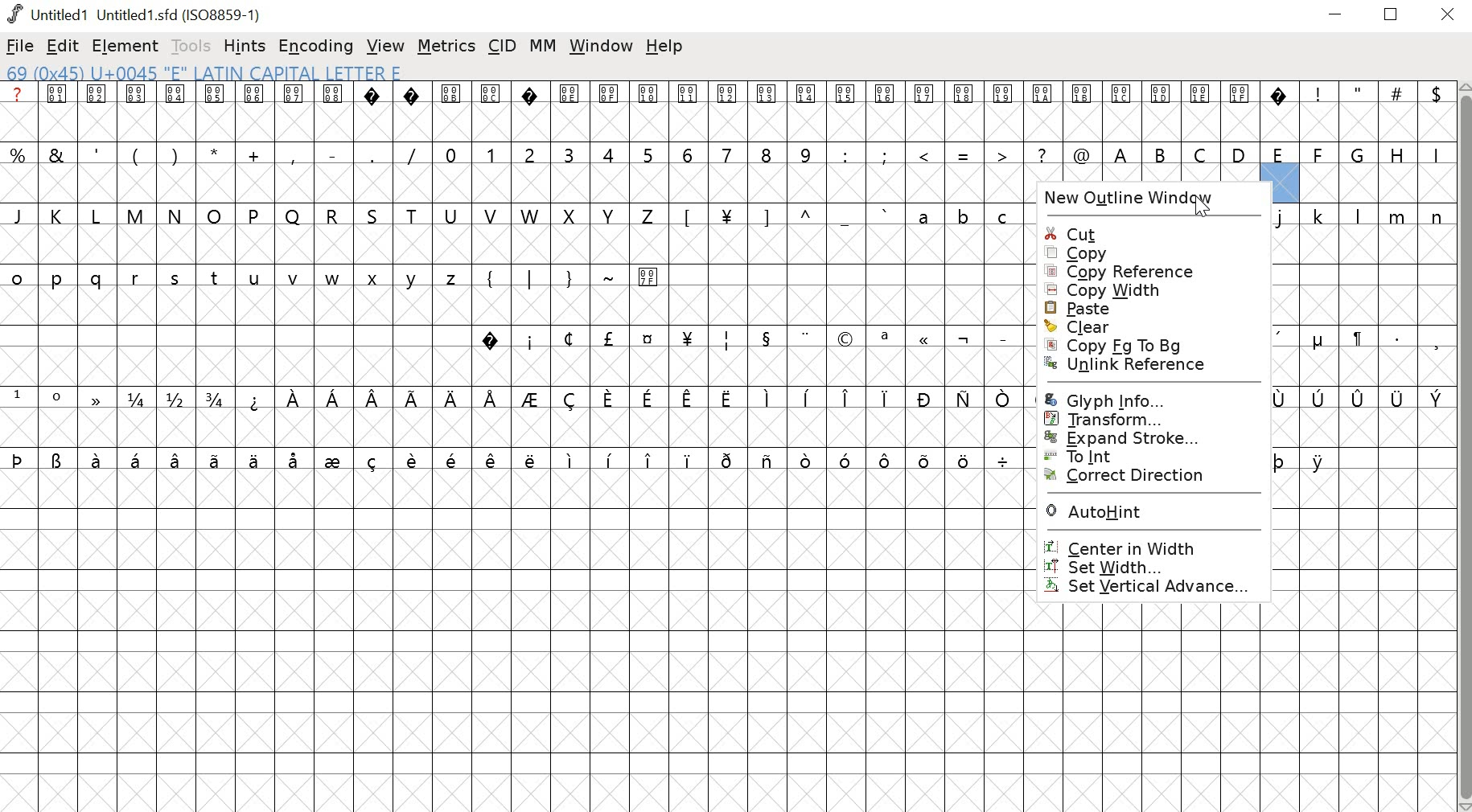 Image resolution: width=1472 pixels, height=812 pixels. Describe the element at coordinates (1392, 15) in the screenshot. I see `restore down` at that location.